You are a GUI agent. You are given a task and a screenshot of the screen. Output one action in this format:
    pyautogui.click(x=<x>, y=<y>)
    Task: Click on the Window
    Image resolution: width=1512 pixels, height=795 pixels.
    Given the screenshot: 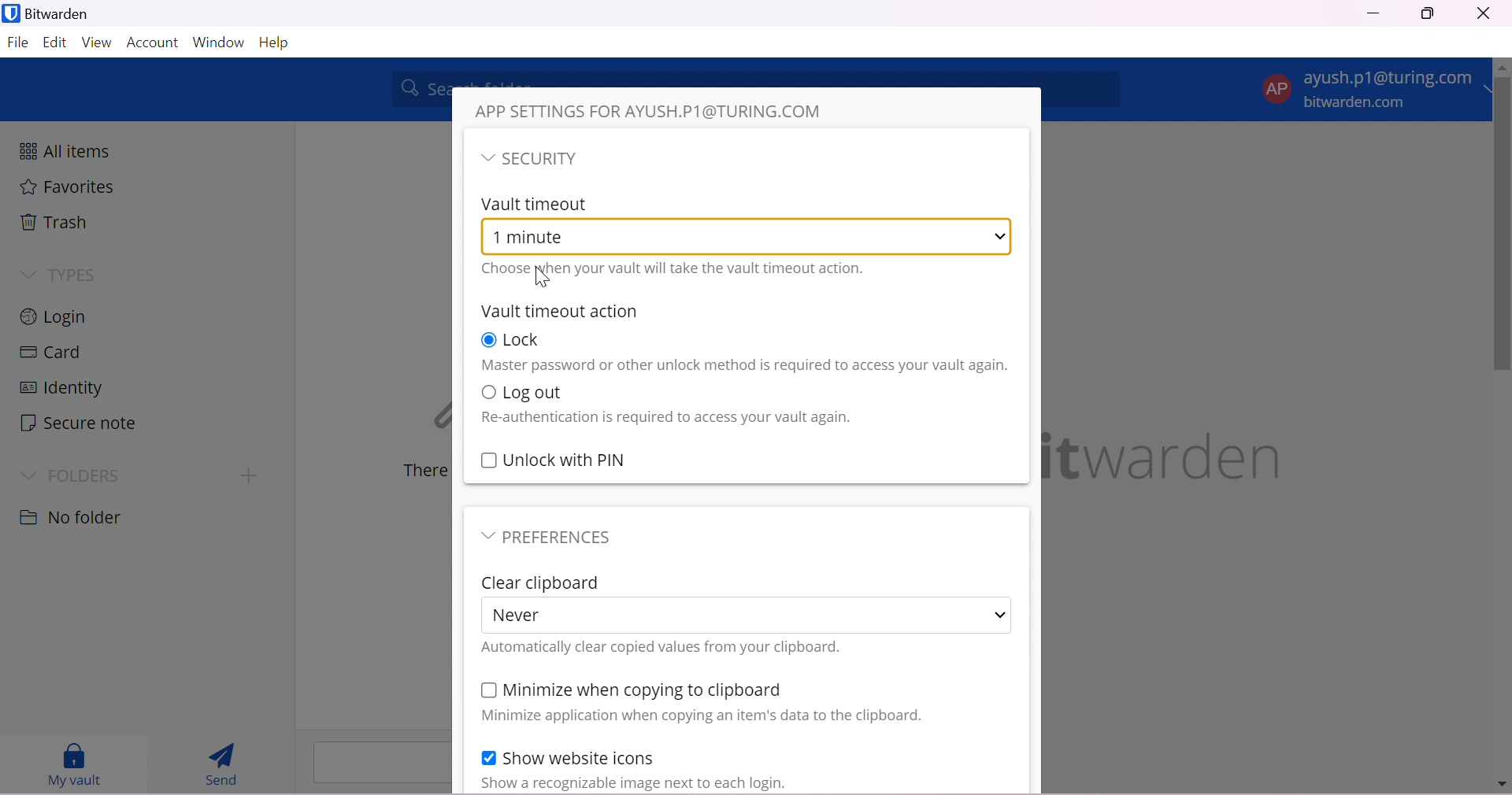 What is the action you would take?
    pyautogui.click(x=219, y=41)
    